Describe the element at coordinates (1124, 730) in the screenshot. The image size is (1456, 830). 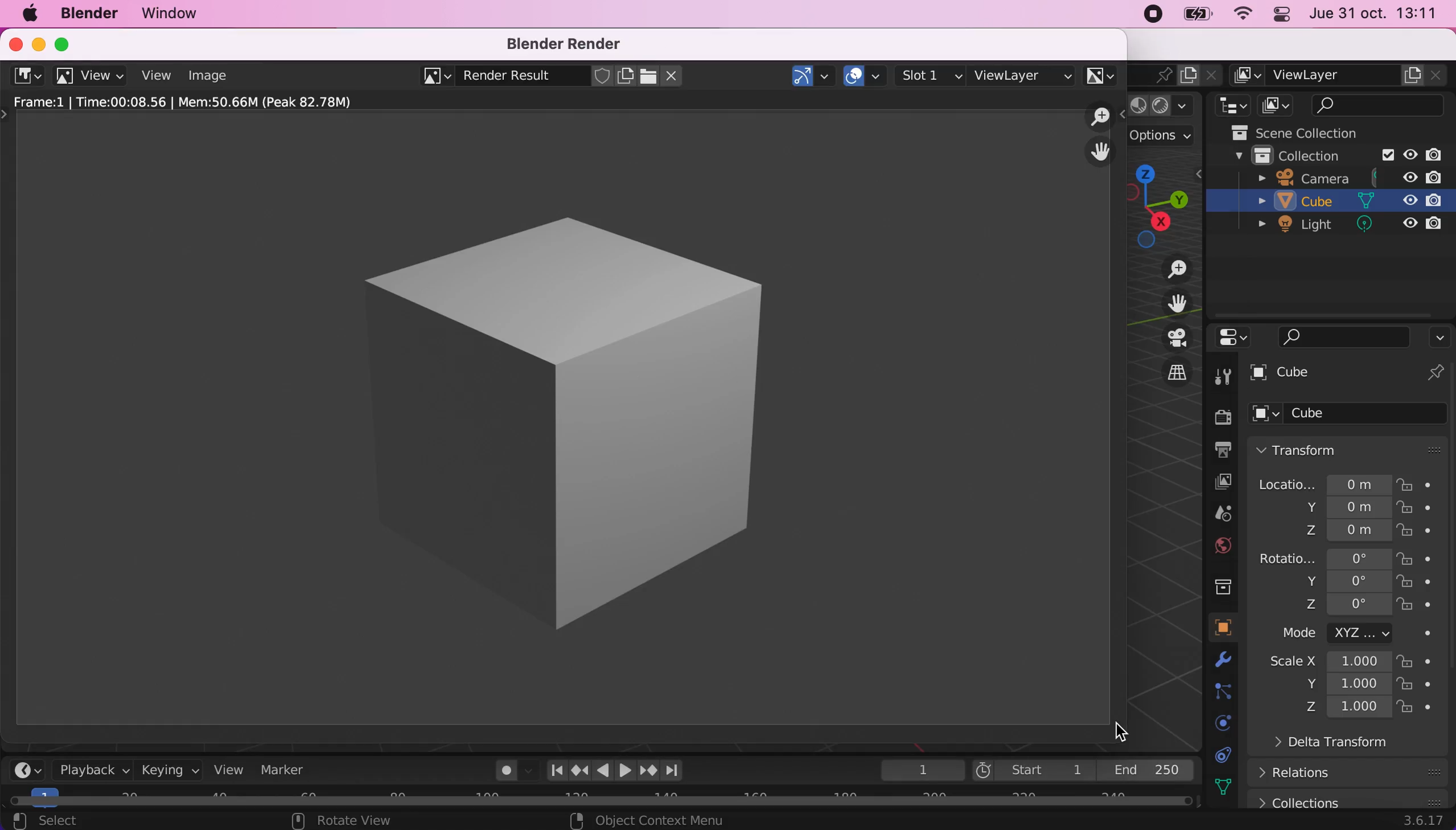
I see `Cursor` at that location.